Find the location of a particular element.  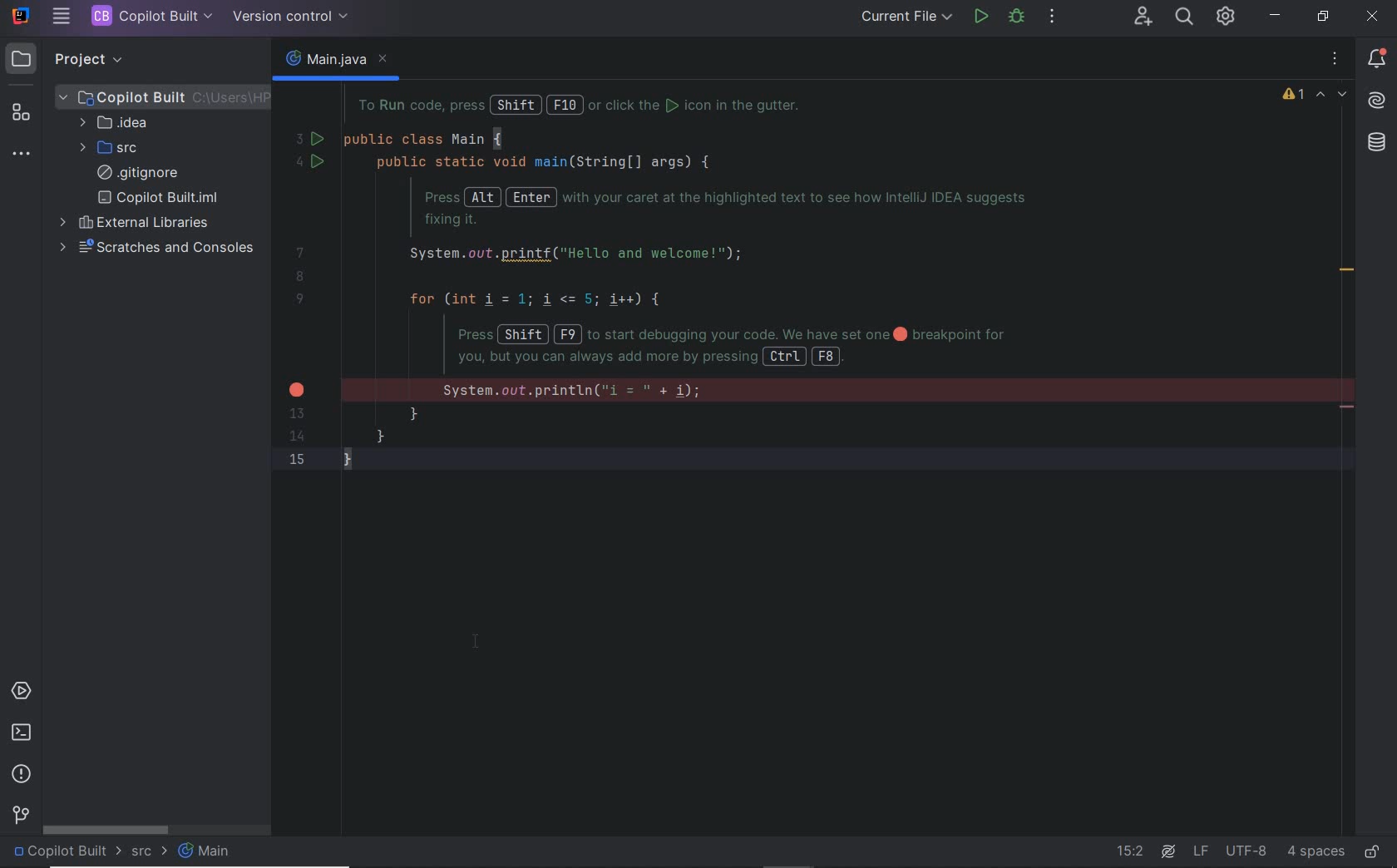

external libraries is located at coordinates (138, 223).